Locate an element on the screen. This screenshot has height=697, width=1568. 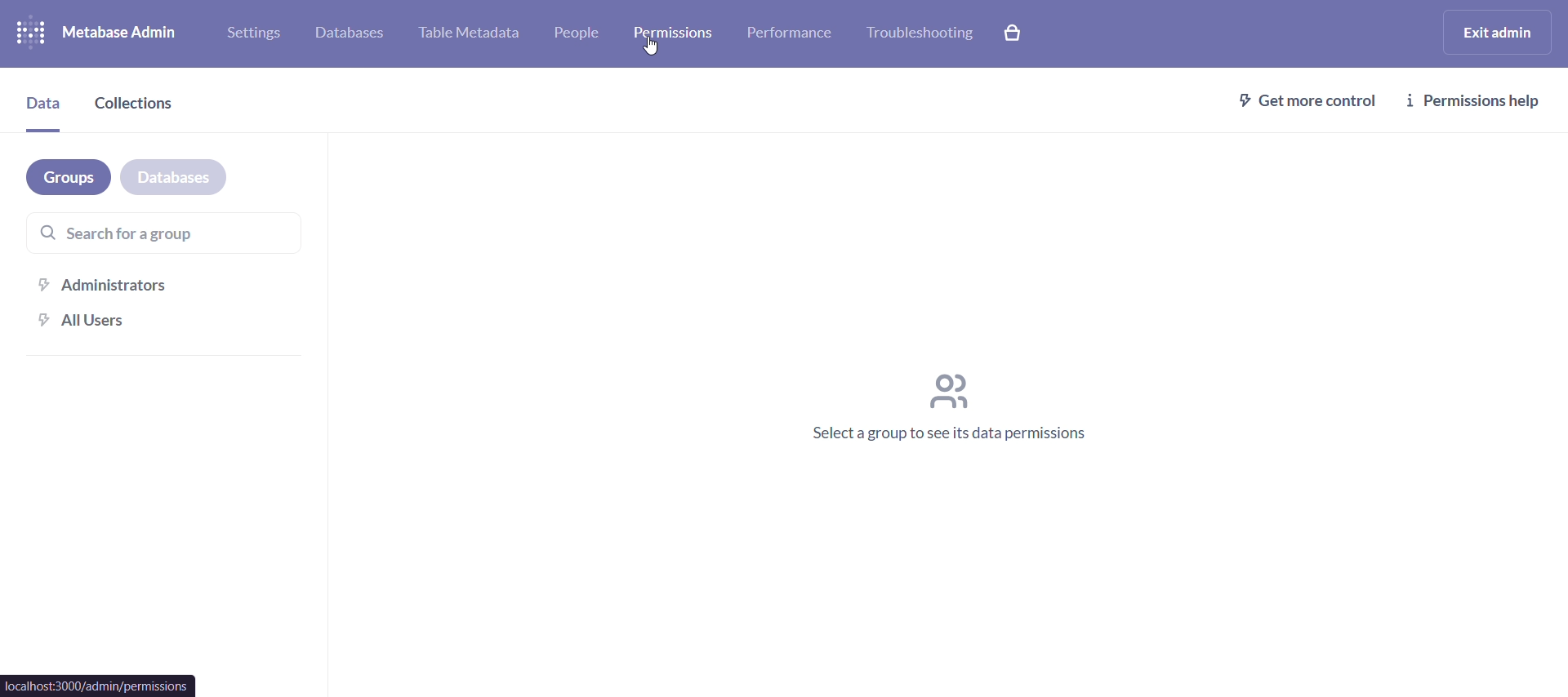
settings is located at coordinates (251, 33).